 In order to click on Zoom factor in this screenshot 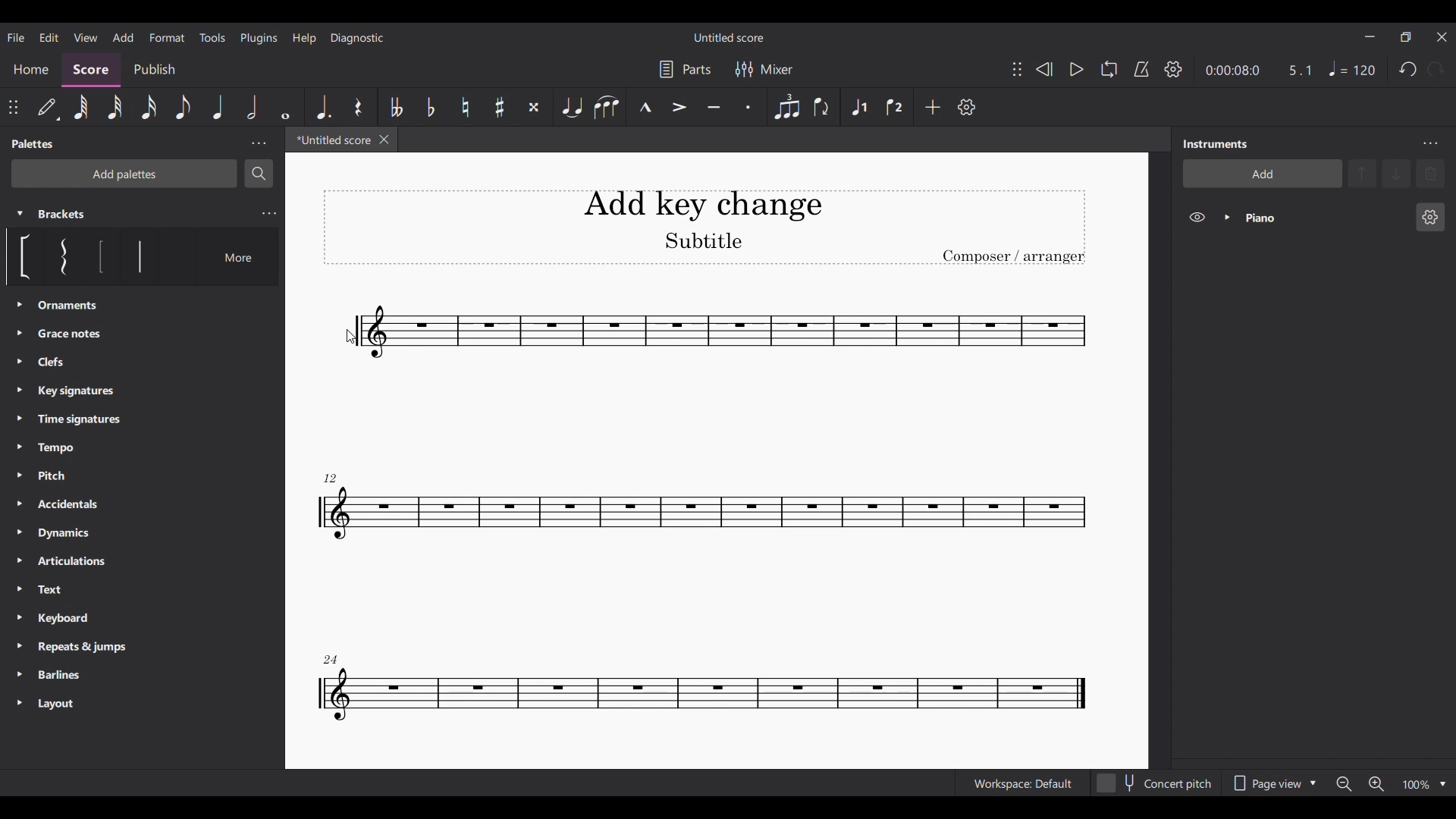, I will do `click(1417, 786)`.